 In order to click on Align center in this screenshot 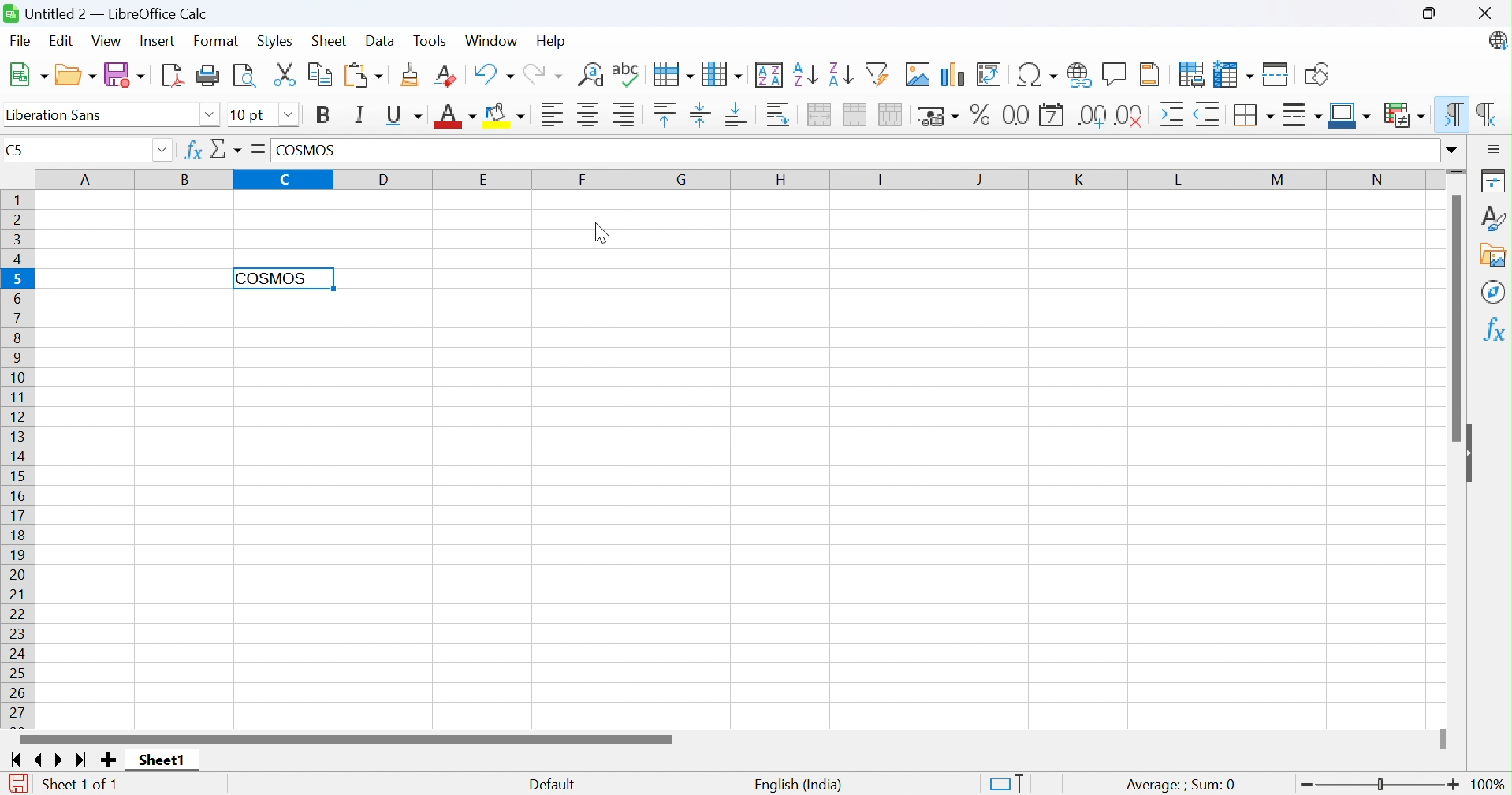, I will do `click(590, 115)`.